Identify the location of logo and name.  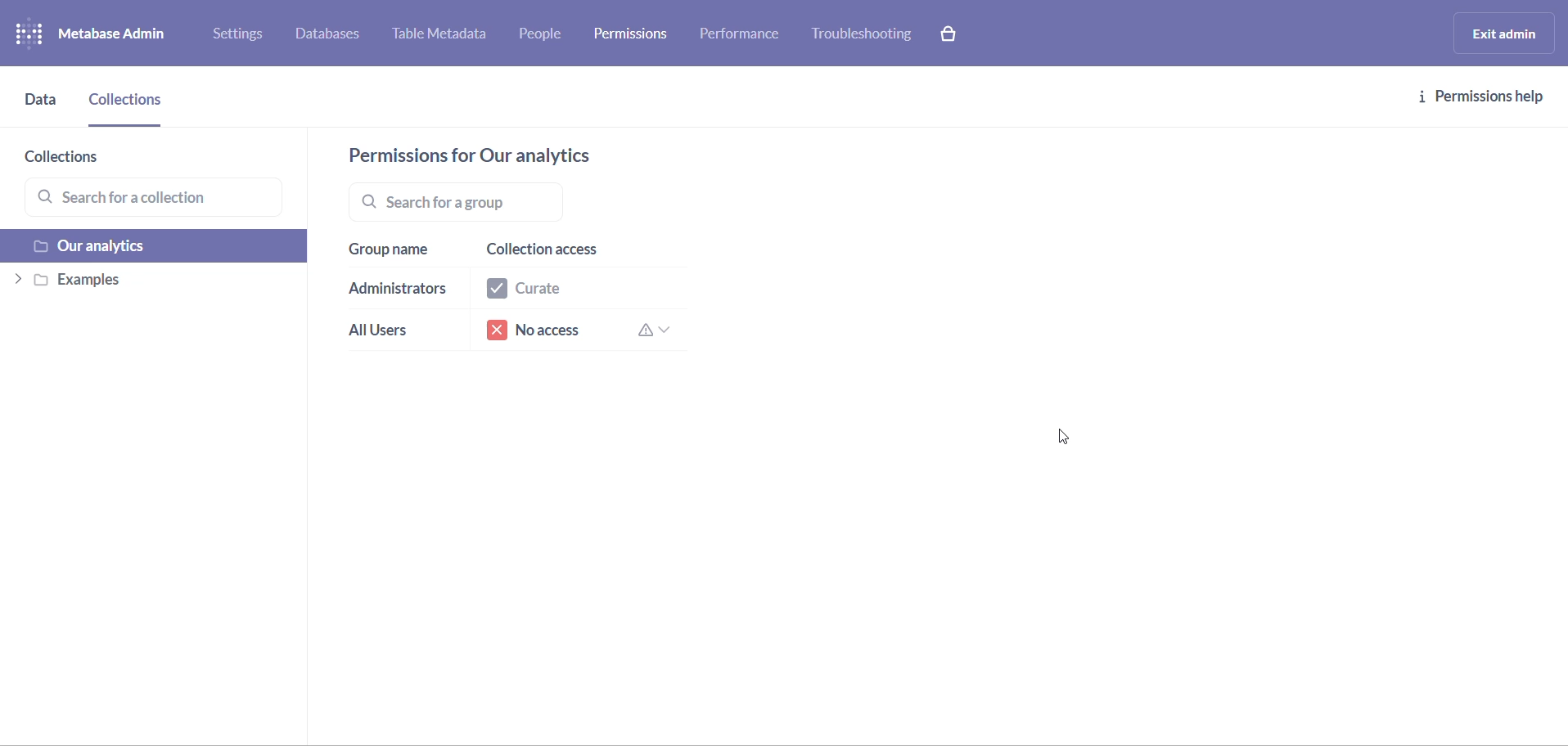
(105, 34).